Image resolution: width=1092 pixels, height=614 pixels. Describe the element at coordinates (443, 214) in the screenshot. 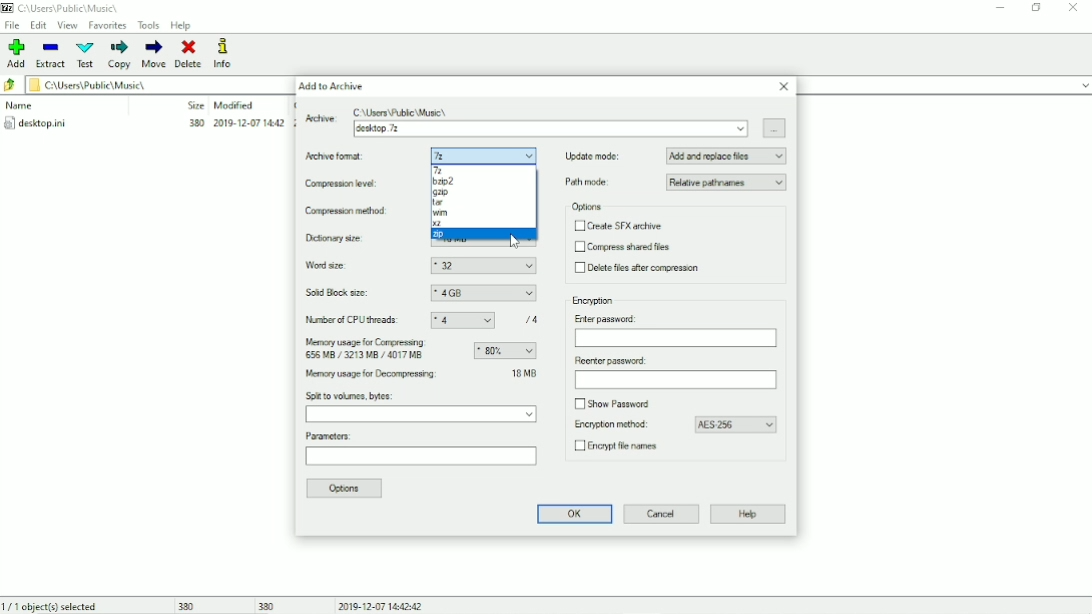

I see `wim` at that location.